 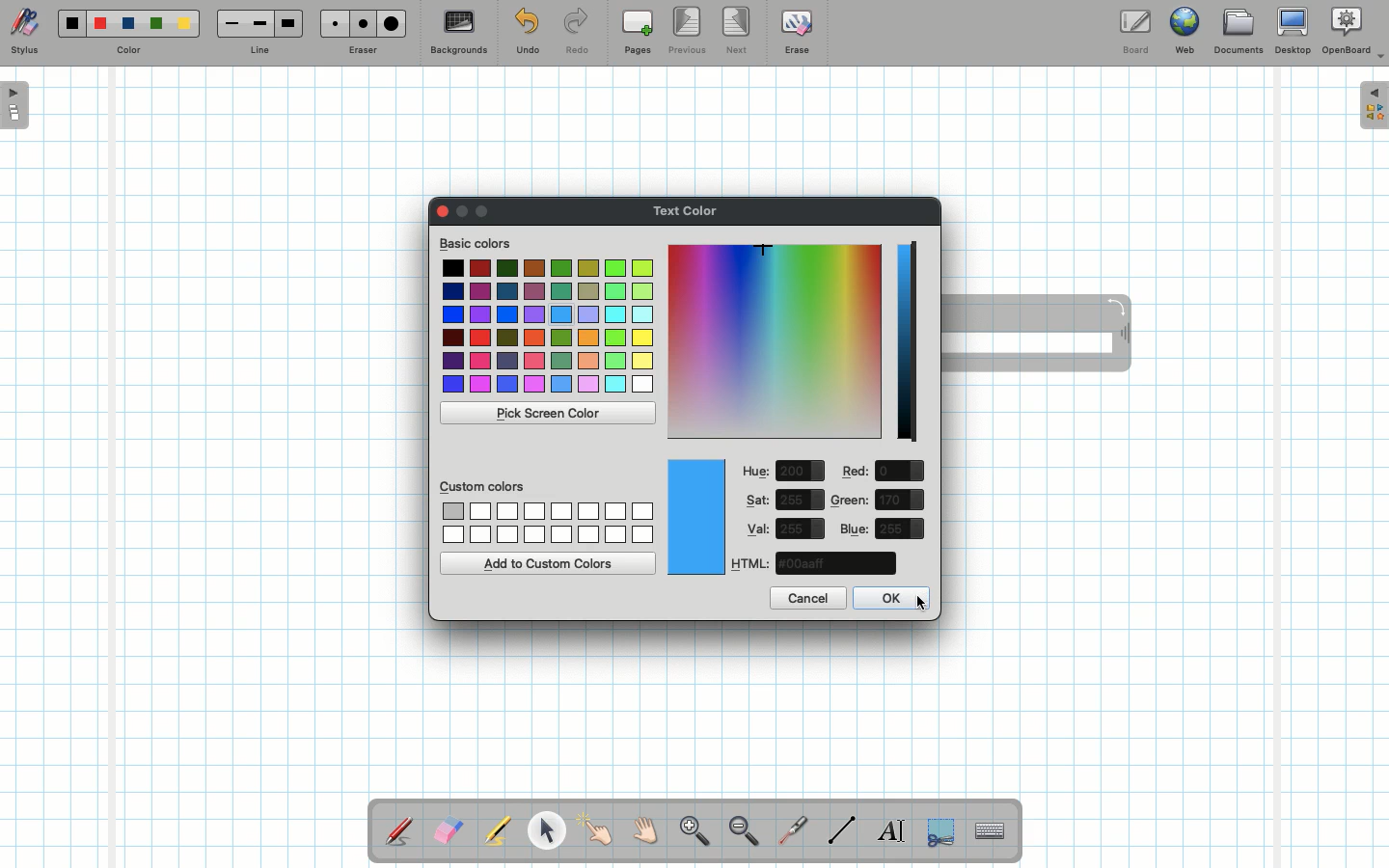 I want to click on Green, so click(x=156, y=25).